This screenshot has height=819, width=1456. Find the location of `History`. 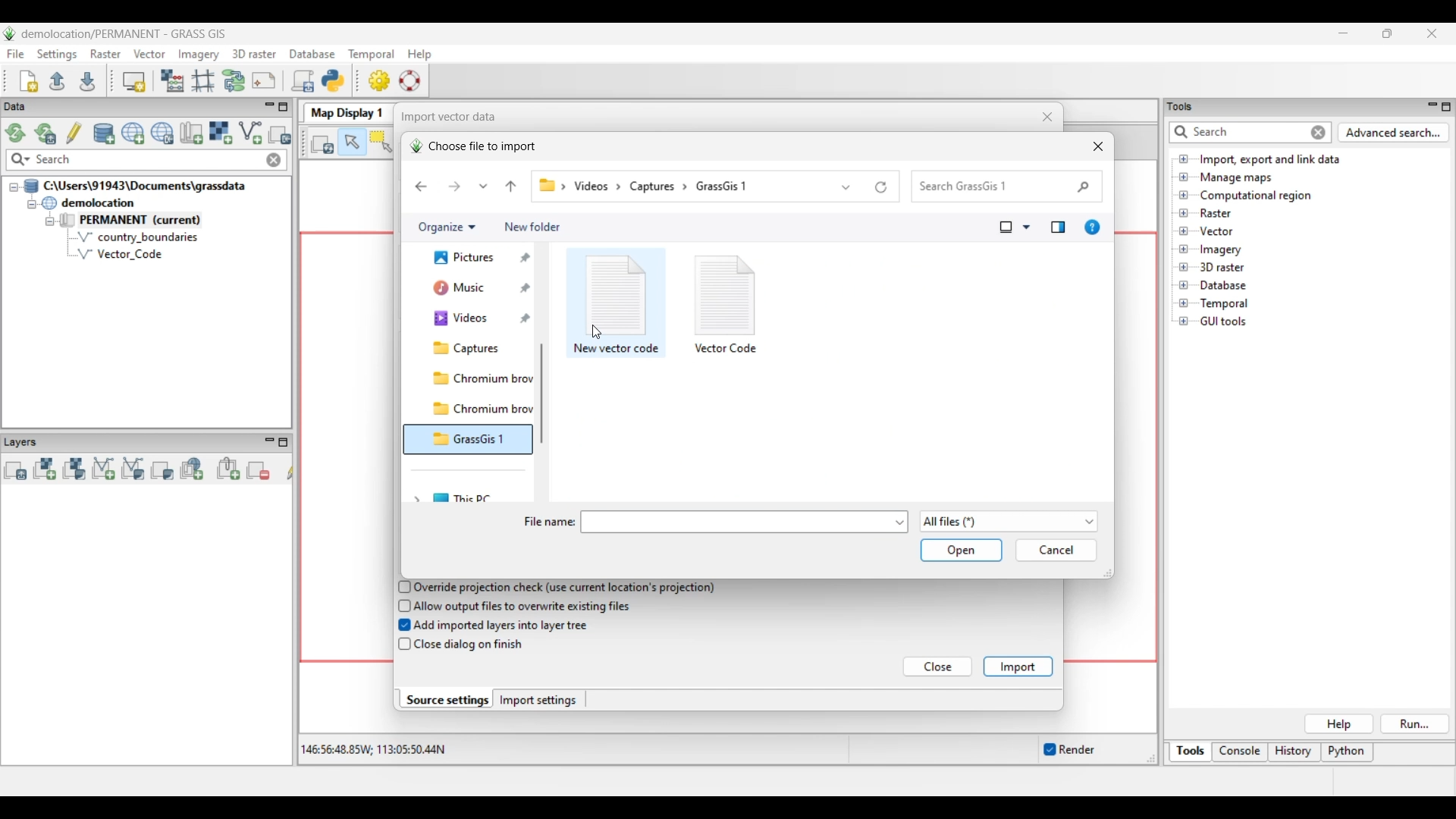

History is located at coordinates (1294, 752).